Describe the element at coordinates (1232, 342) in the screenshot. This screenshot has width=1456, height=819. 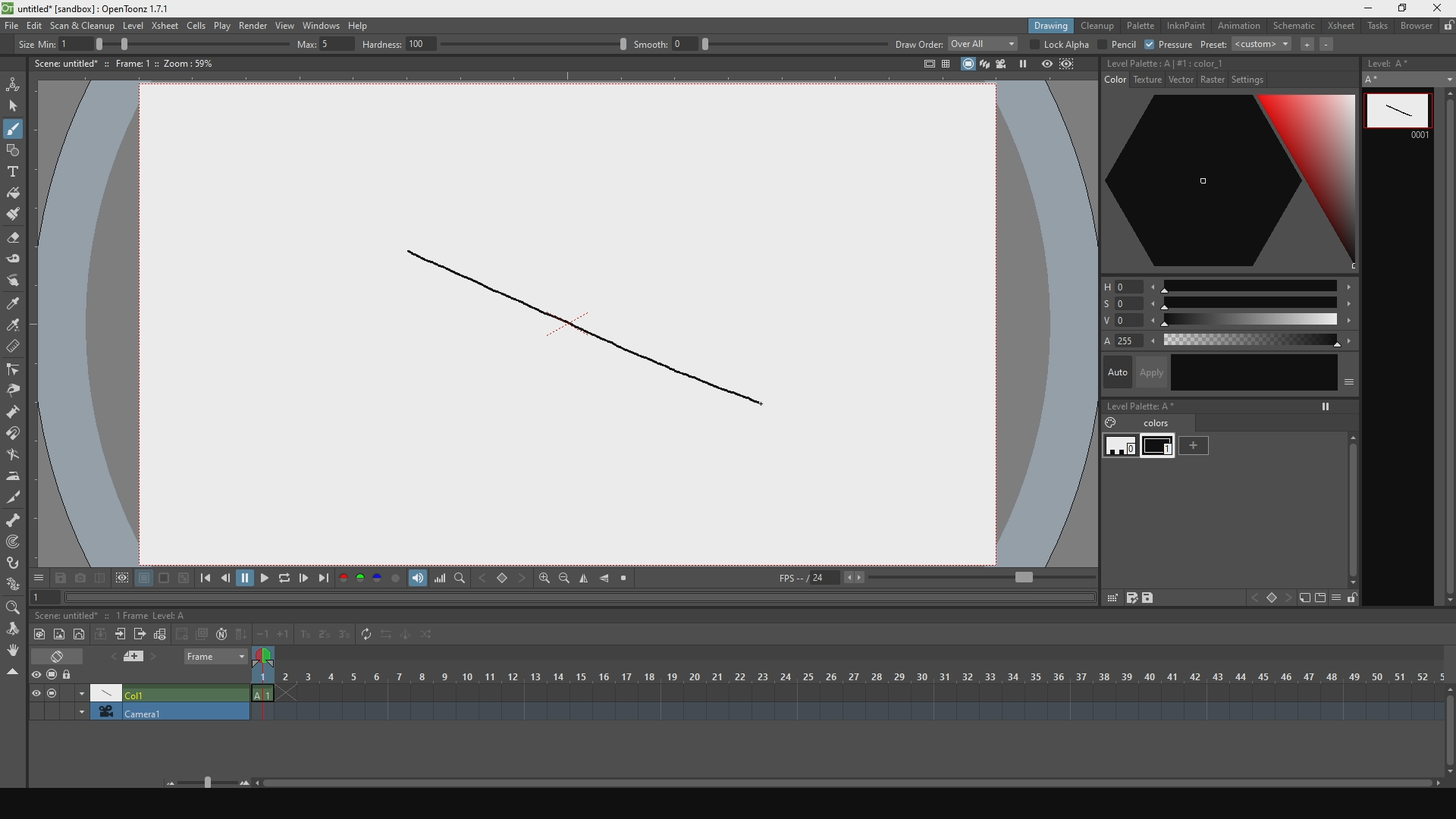
I see `color ` at that location.